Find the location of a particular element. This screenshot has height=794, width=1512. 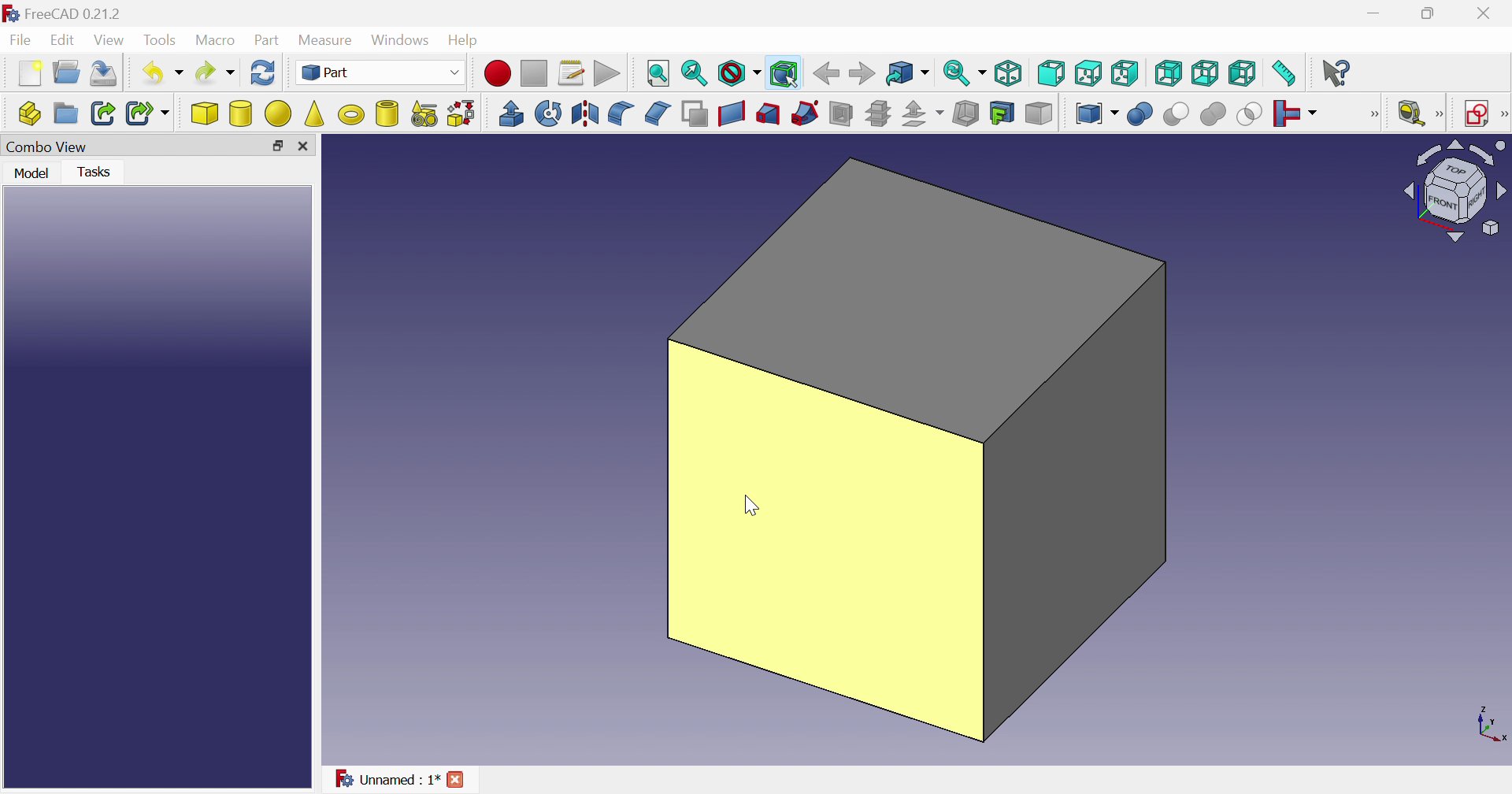

Make sub-link is located at coordinates (149, 114).